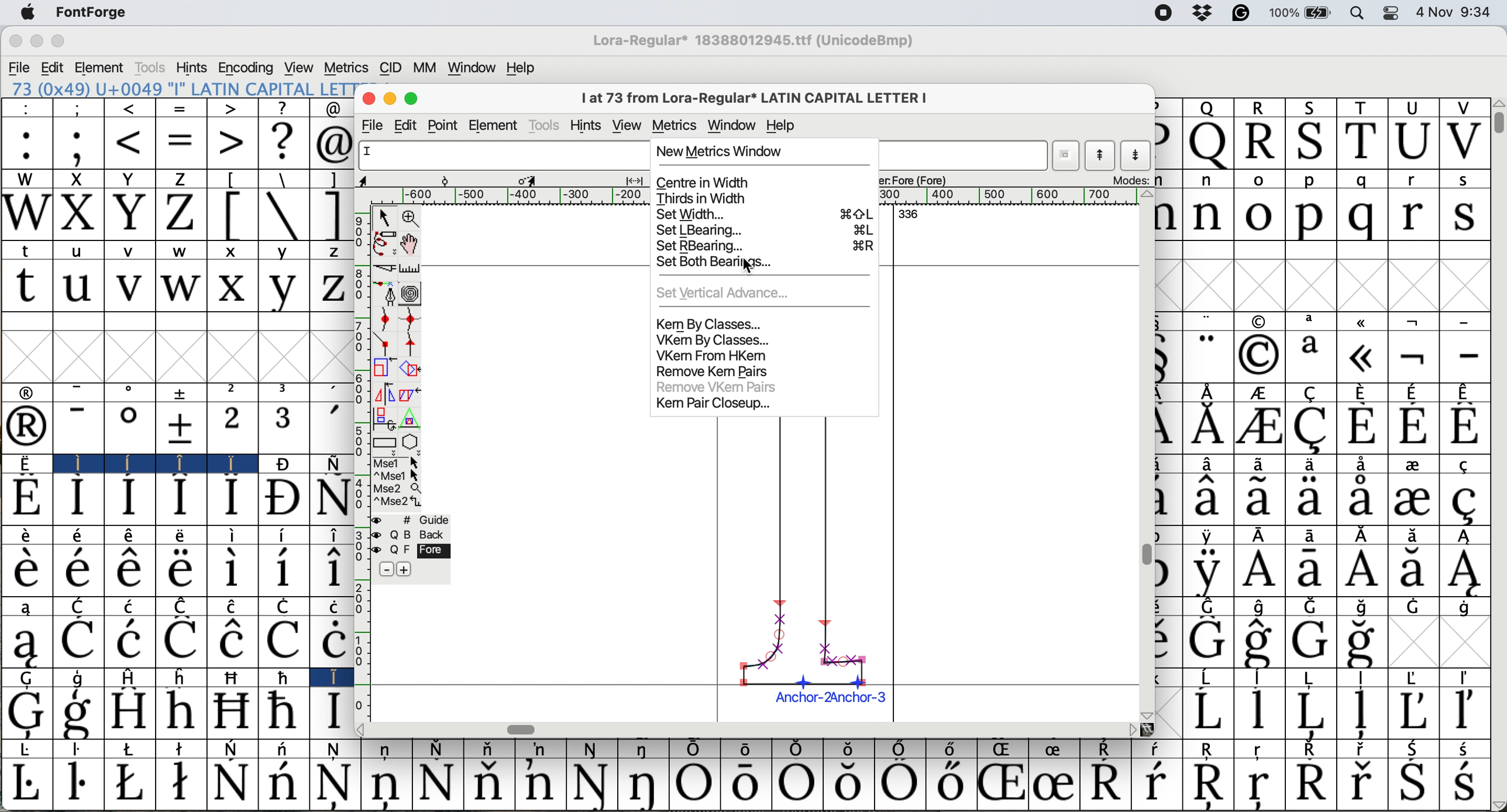  Describe the element at coordinates (762, 230) in the screenshot. I see `set lbearing` at that location.